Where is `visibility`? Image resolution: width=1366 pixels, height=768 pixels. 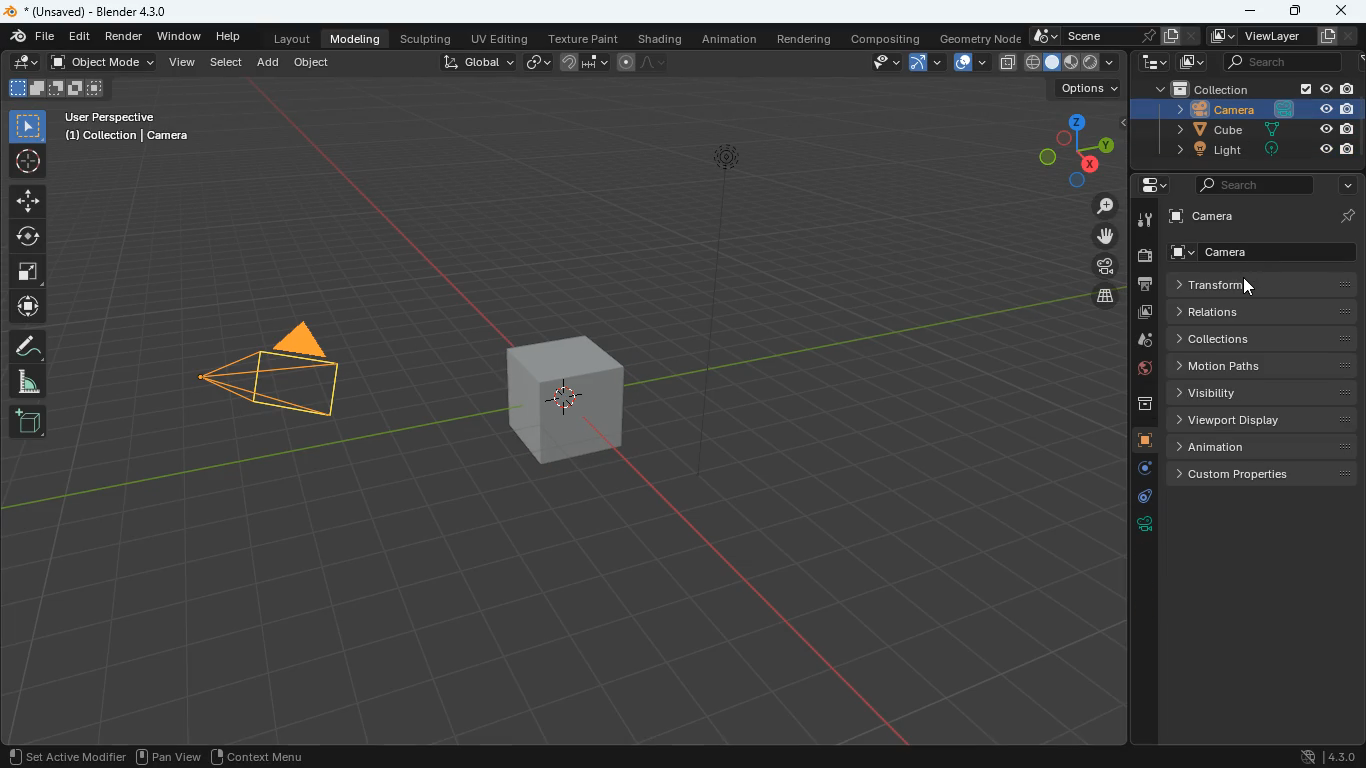
visibility is located at coordinates (1264, 393).